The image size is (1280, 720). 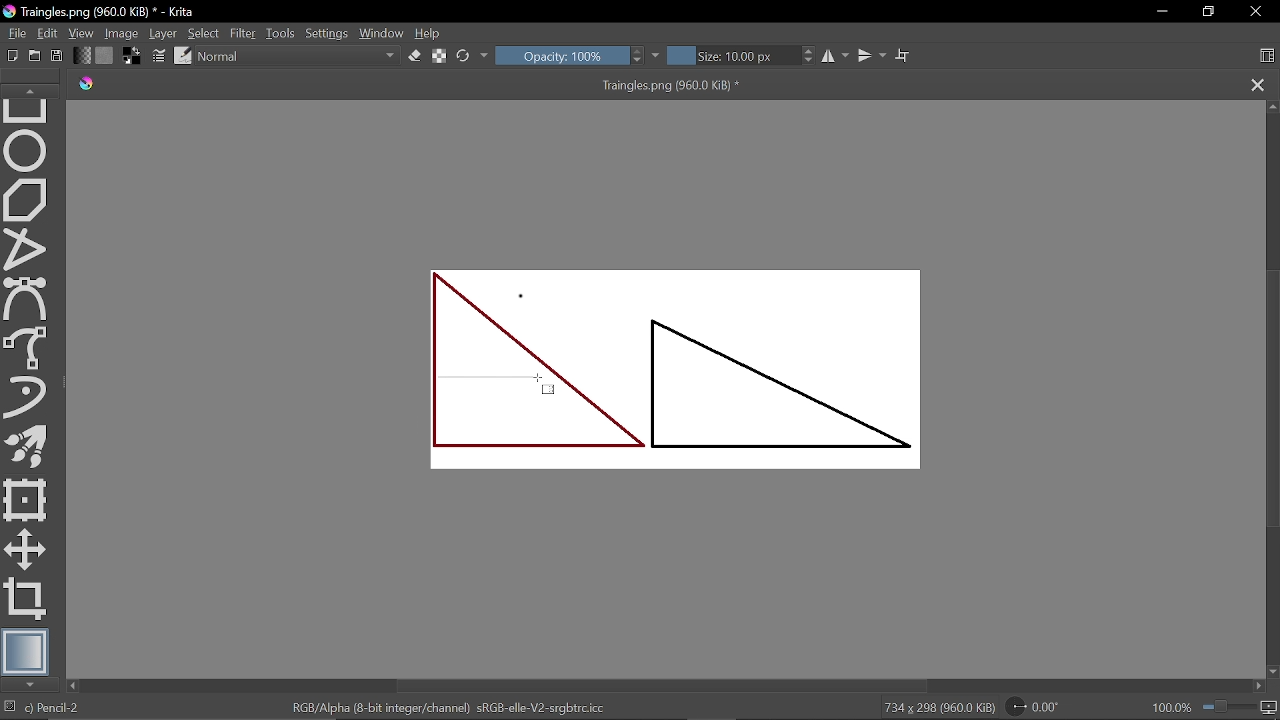 I want to click on Wrap text tool, so click(x=904, y=56).